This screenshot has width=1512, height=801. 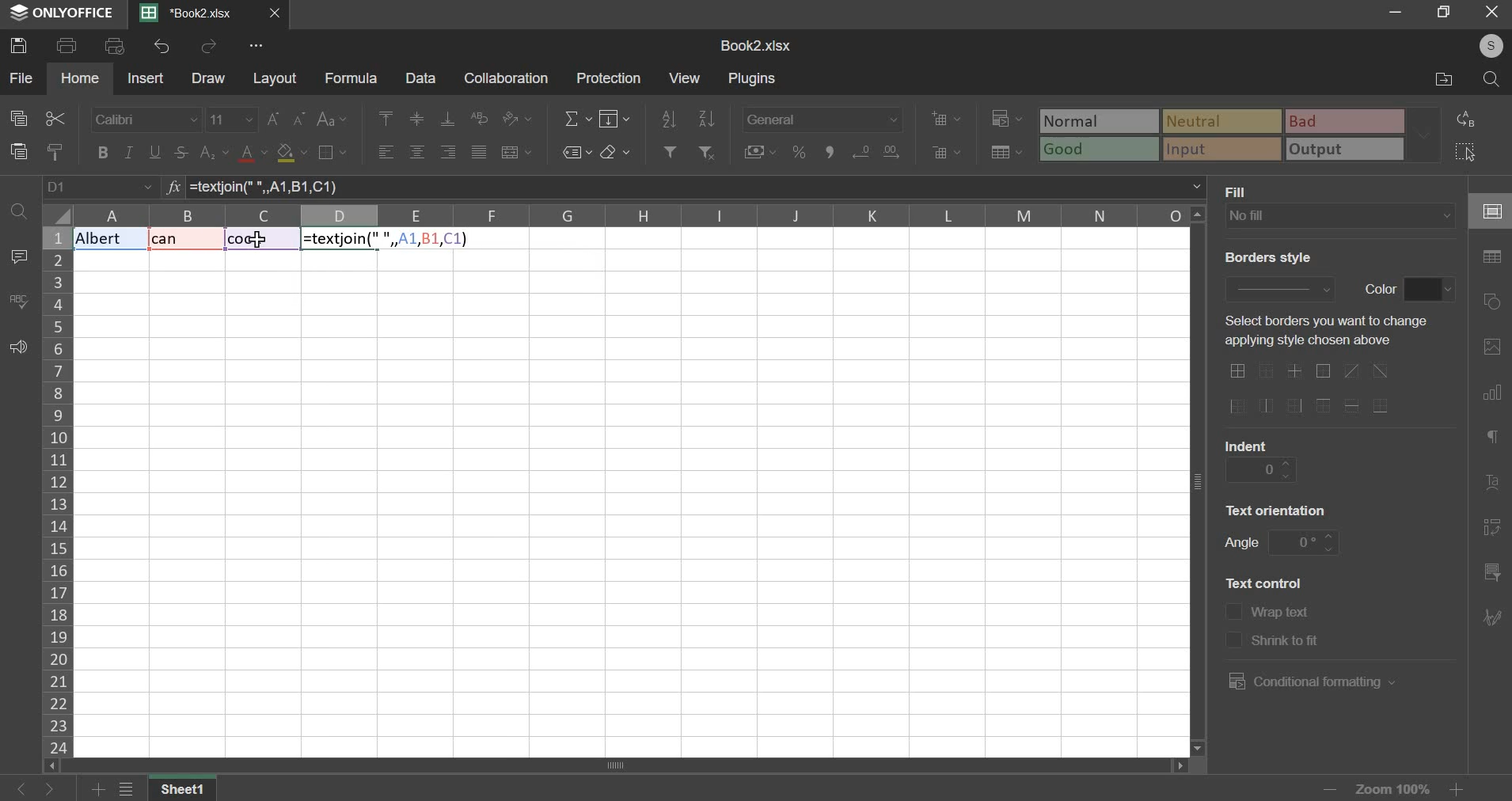 What do you see at coordinates (613, 766) in the screenshot?
I see `scroll bar` at bounding box center [613, 766].